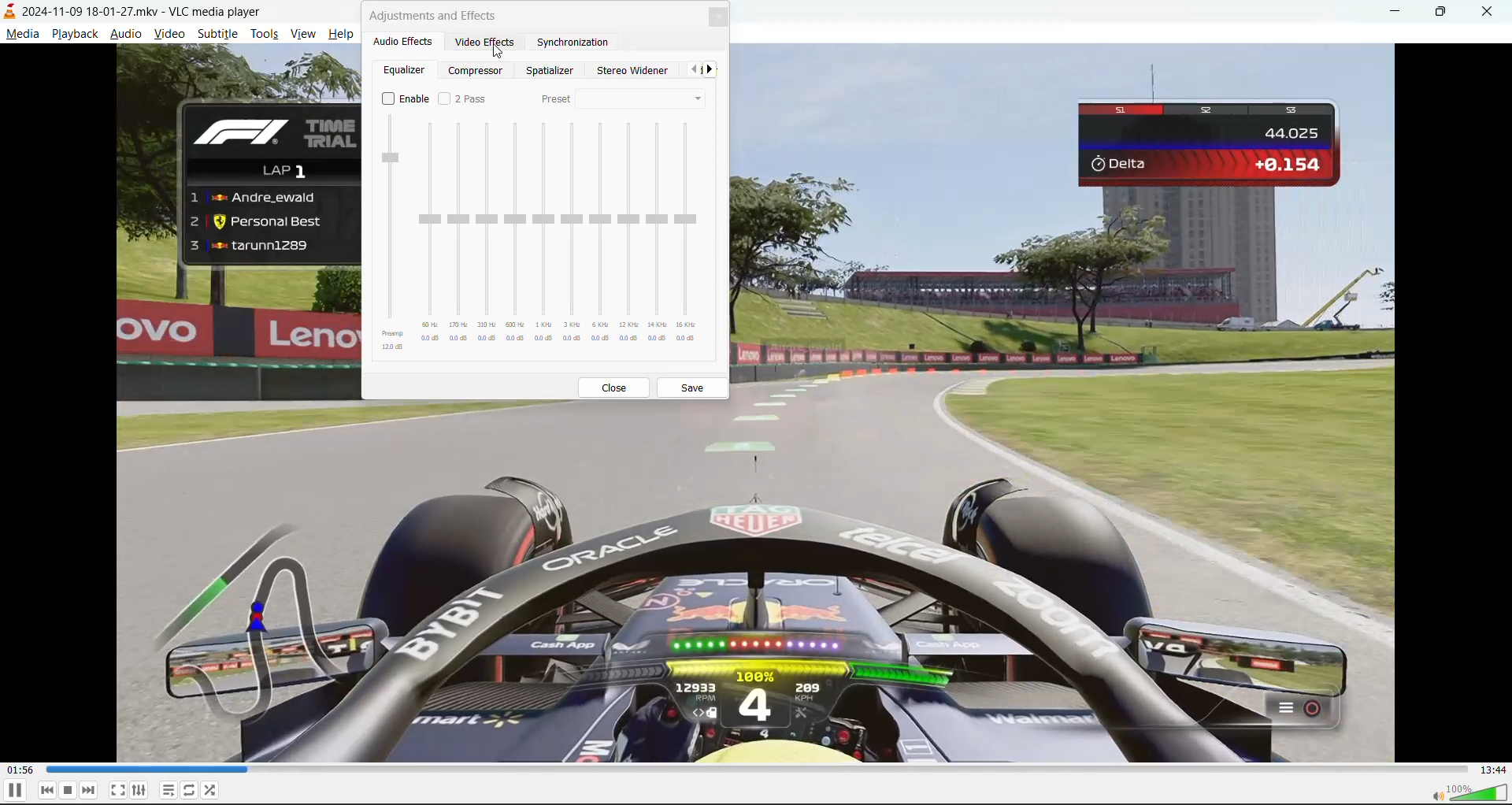 This screenshot has height=805, width=1512. Describe the element at coordinates (69, 790) in the screenshot. I see `stop` at that location.